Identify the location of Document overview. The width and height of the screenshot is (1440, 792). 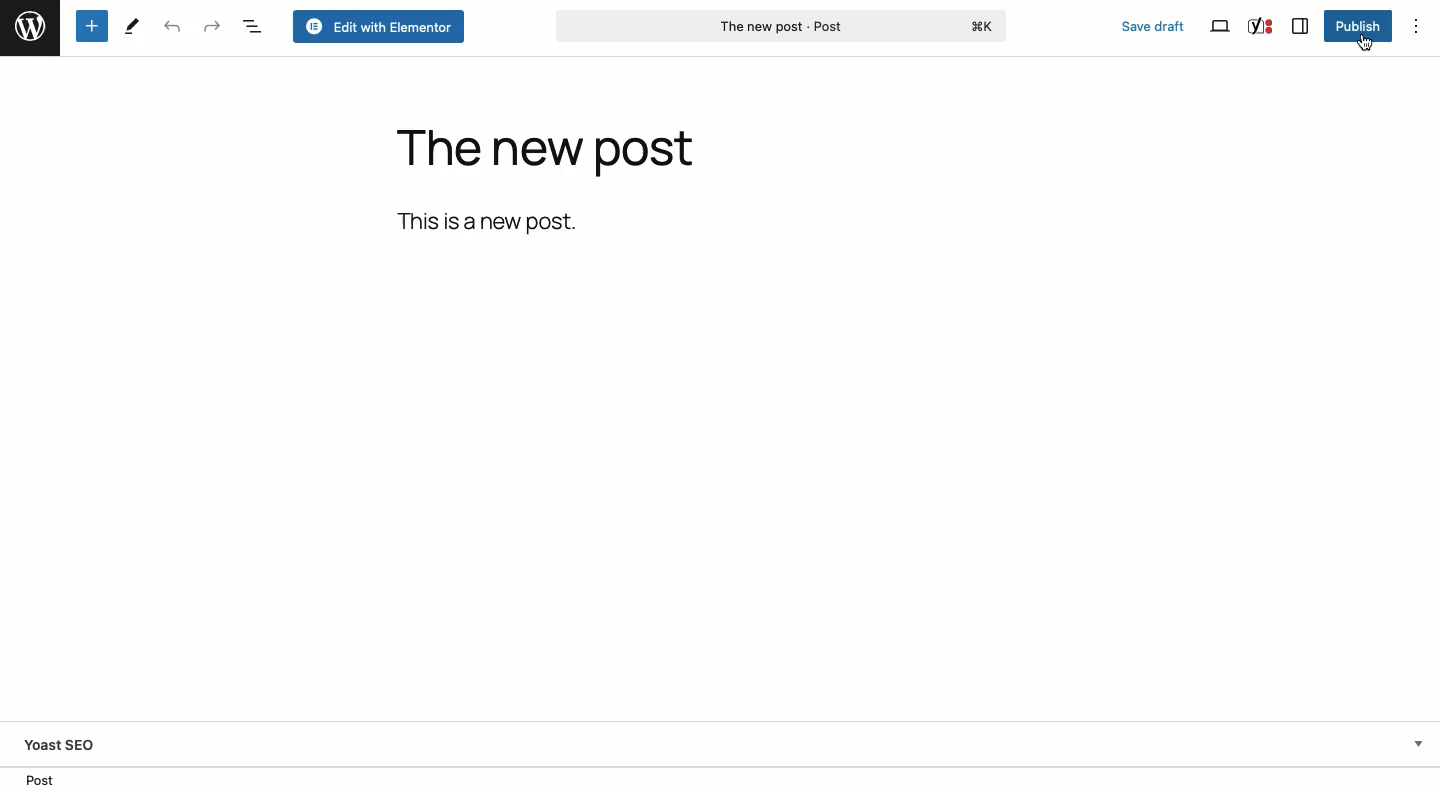
(255, 26).